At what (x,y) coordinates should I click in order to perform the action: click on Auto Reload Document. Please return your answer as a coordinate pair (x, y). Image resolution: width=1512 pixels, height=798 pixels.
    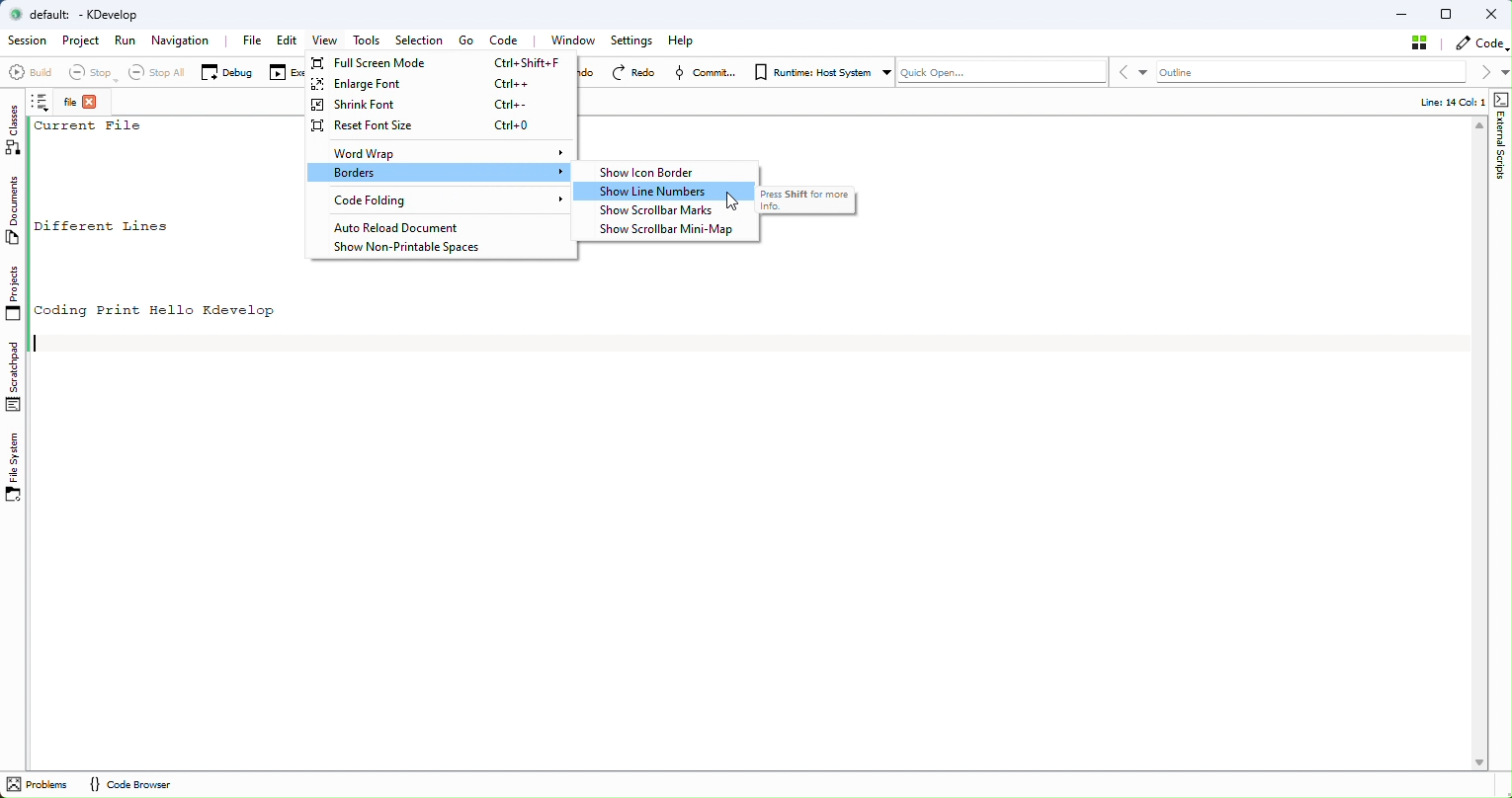
    Looking at the image, I should click on (431, 227).